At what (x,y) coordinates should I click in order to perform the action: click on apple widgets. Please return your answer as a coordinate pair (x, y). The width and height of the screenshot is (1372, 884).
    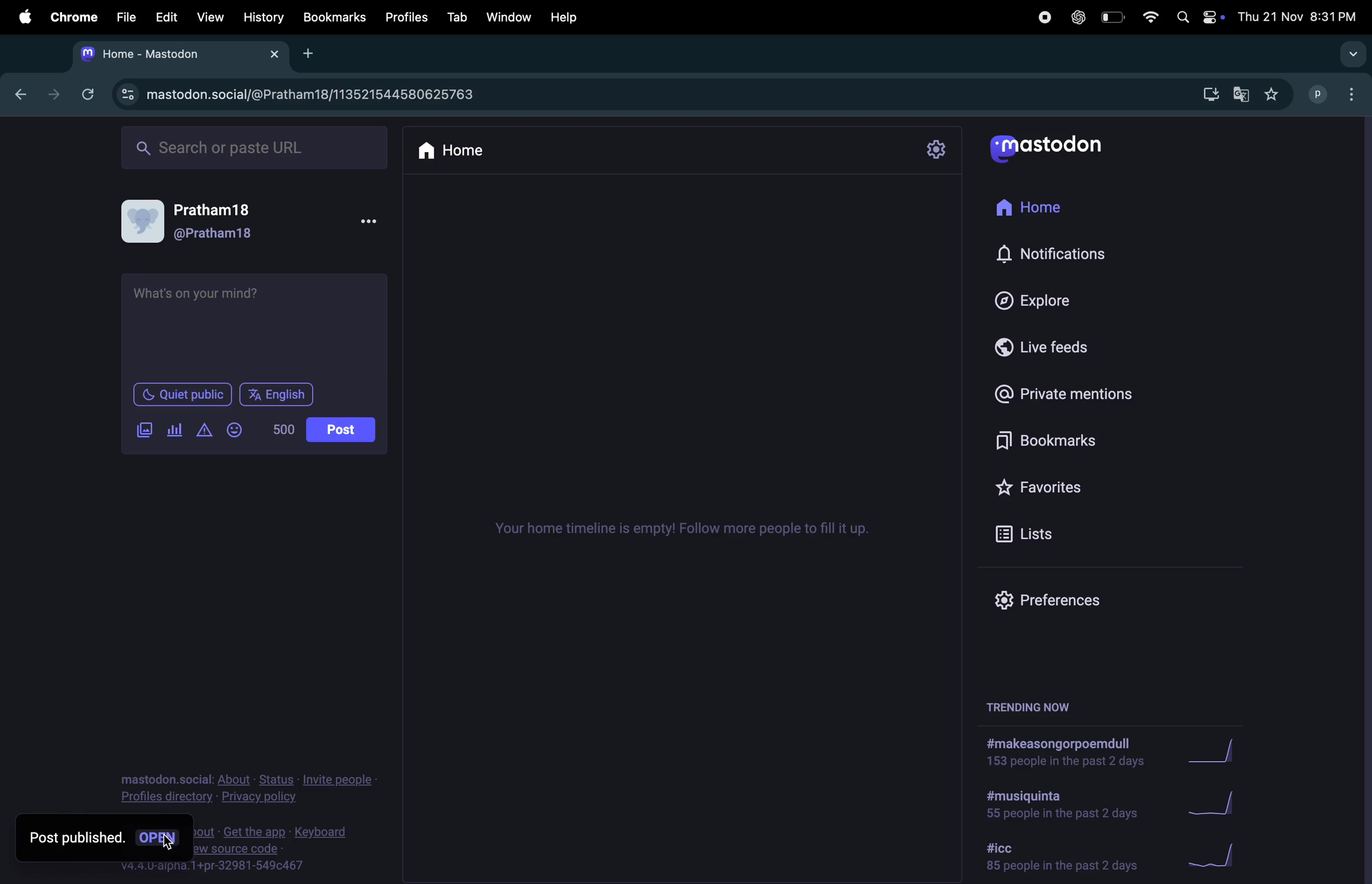
    Looking at the image, I should click on (1198, 17).